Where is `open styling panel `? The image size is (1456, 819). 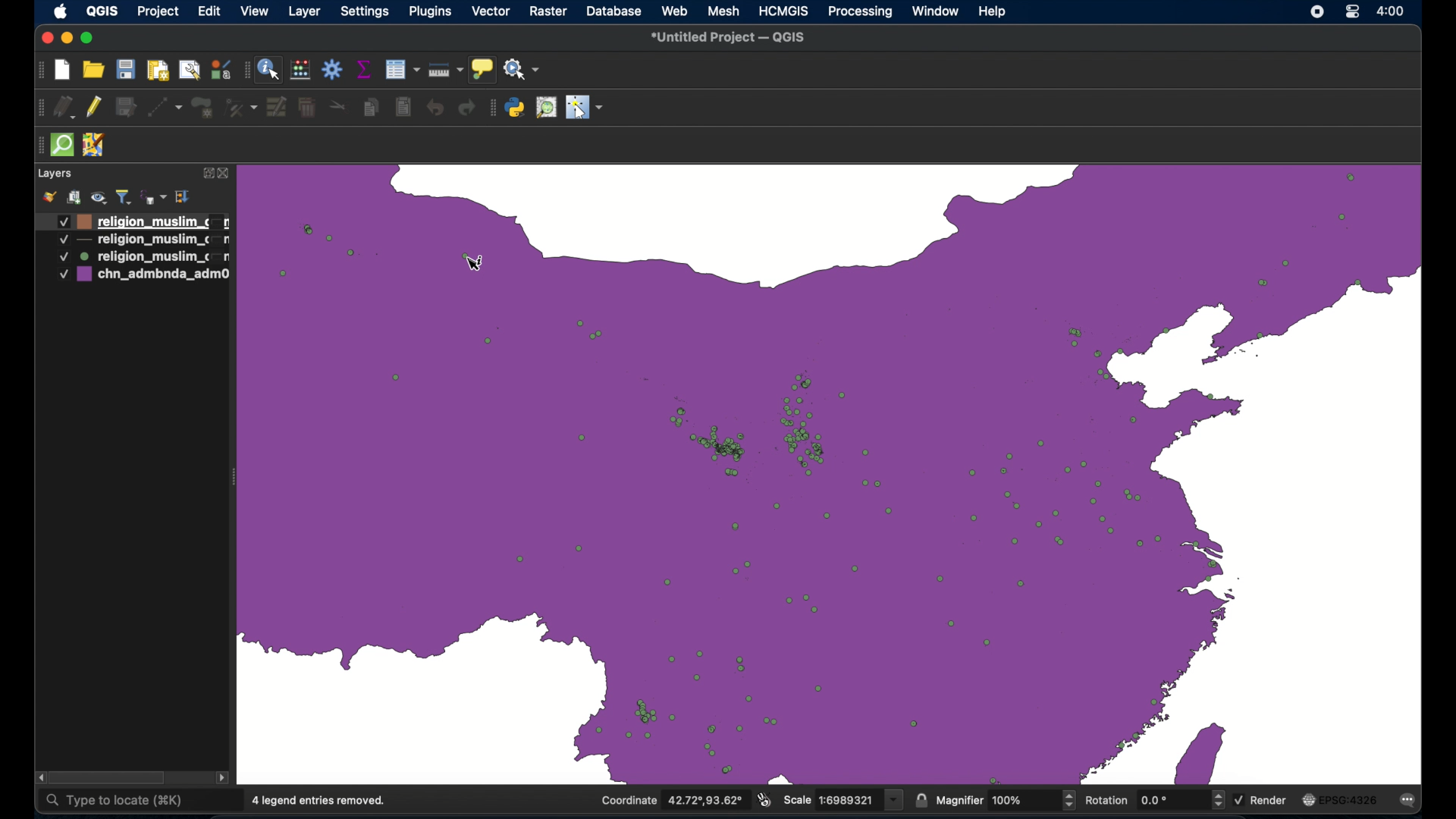
open styling panel  is located at coordinates (49, 196).